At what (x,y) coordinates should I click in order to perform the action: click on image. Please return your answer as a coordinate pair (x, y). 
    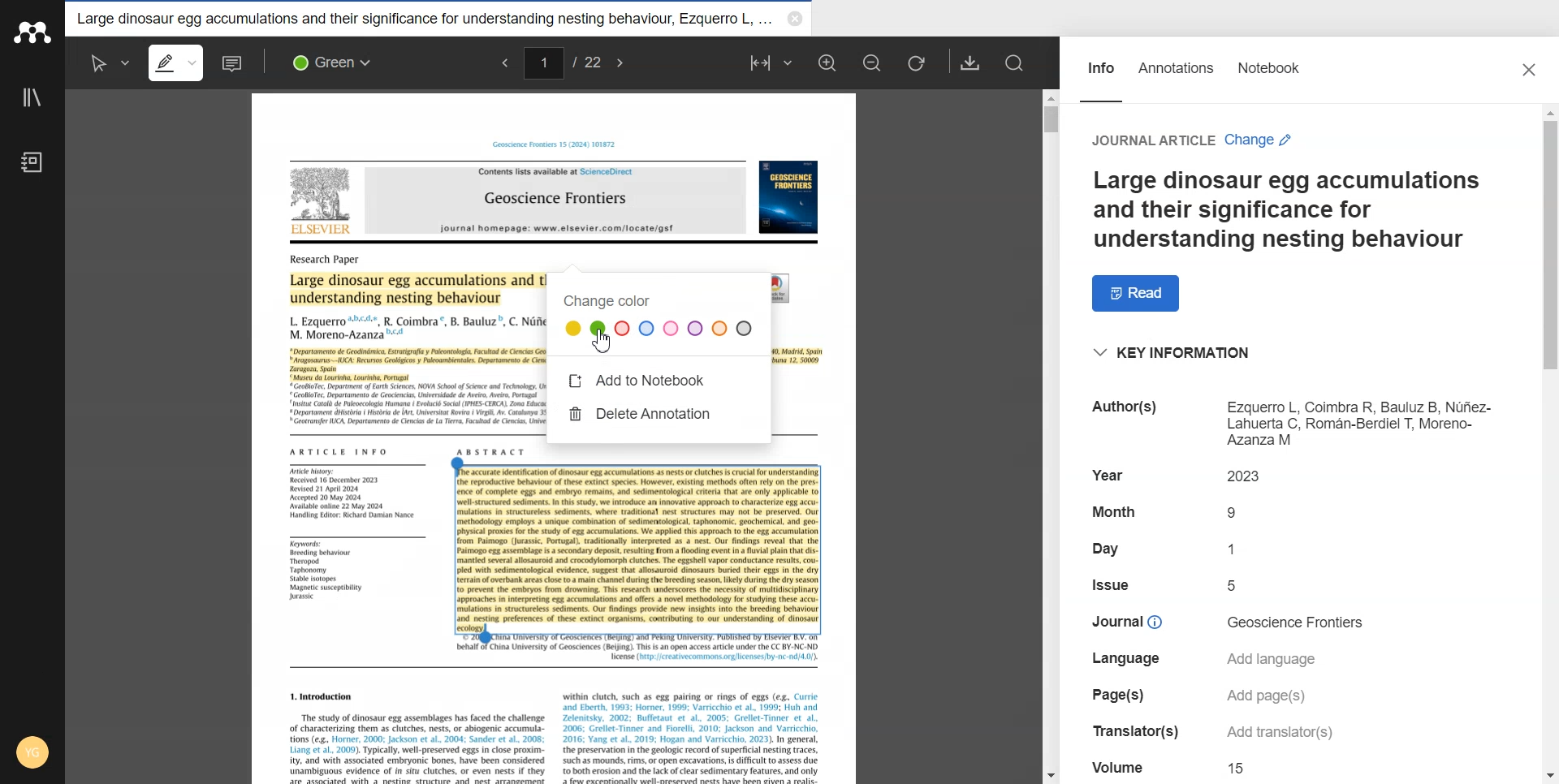
    Looking at the image, I should click on (323, 201).